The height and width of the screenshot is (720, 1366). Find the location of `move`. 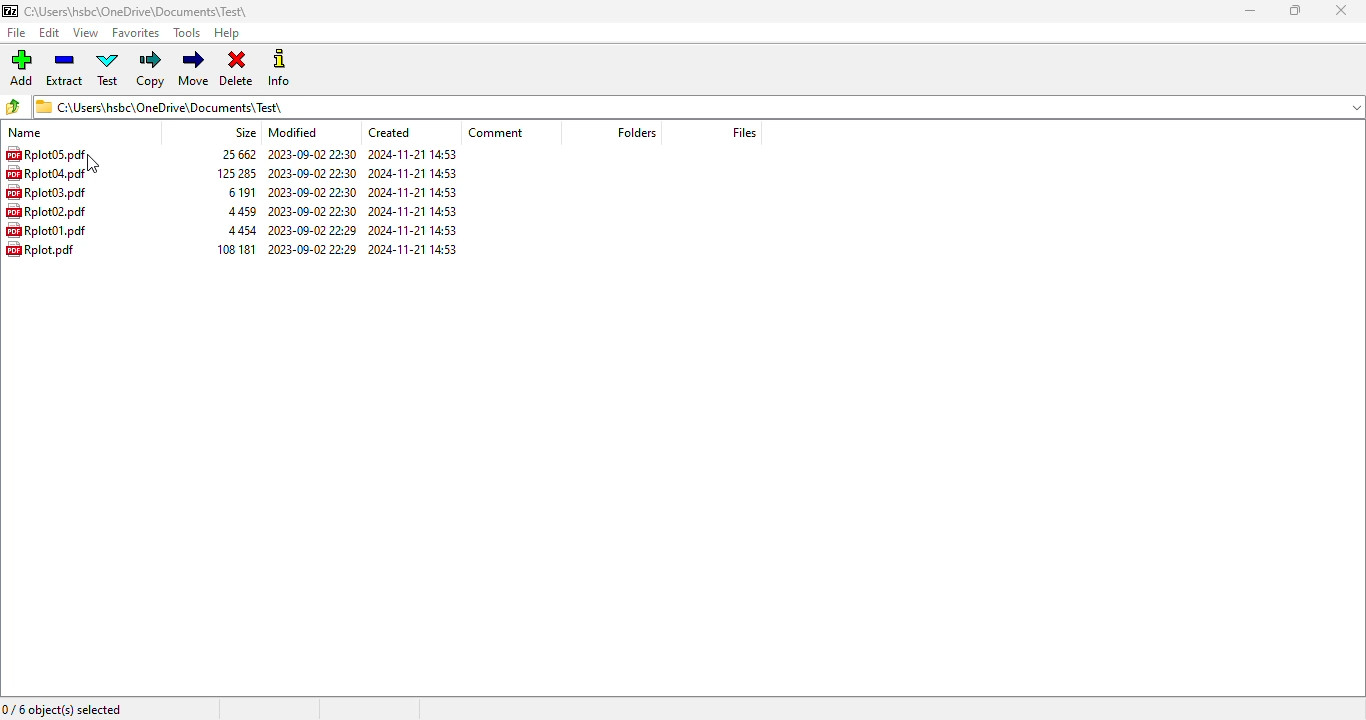

move is located at coordinates (195, 68).